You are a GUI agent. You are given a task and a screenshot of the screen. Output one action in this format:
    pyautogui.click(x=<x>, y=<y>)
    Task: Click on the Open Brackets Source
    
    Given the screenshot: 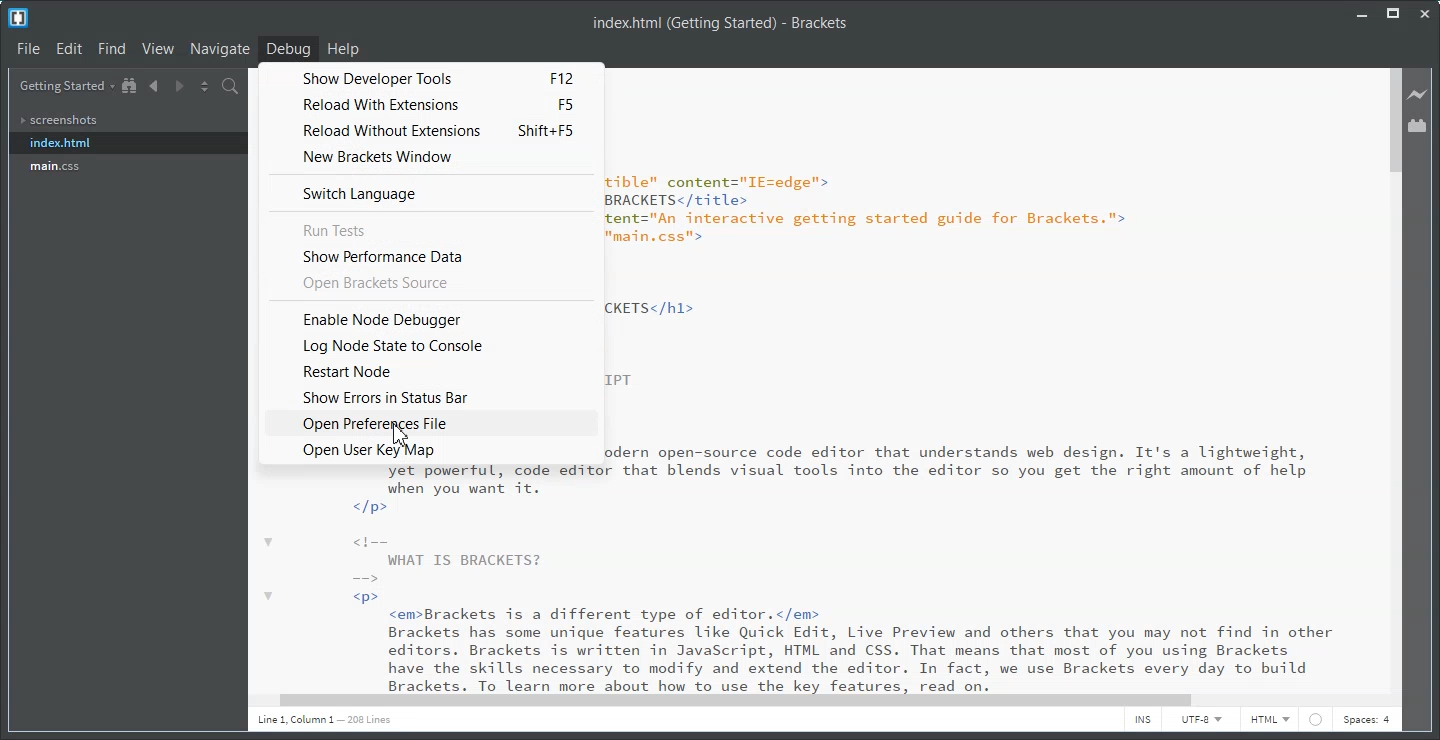 What is the action you would take?
    pyautogui.click(x=427, y=284)
    